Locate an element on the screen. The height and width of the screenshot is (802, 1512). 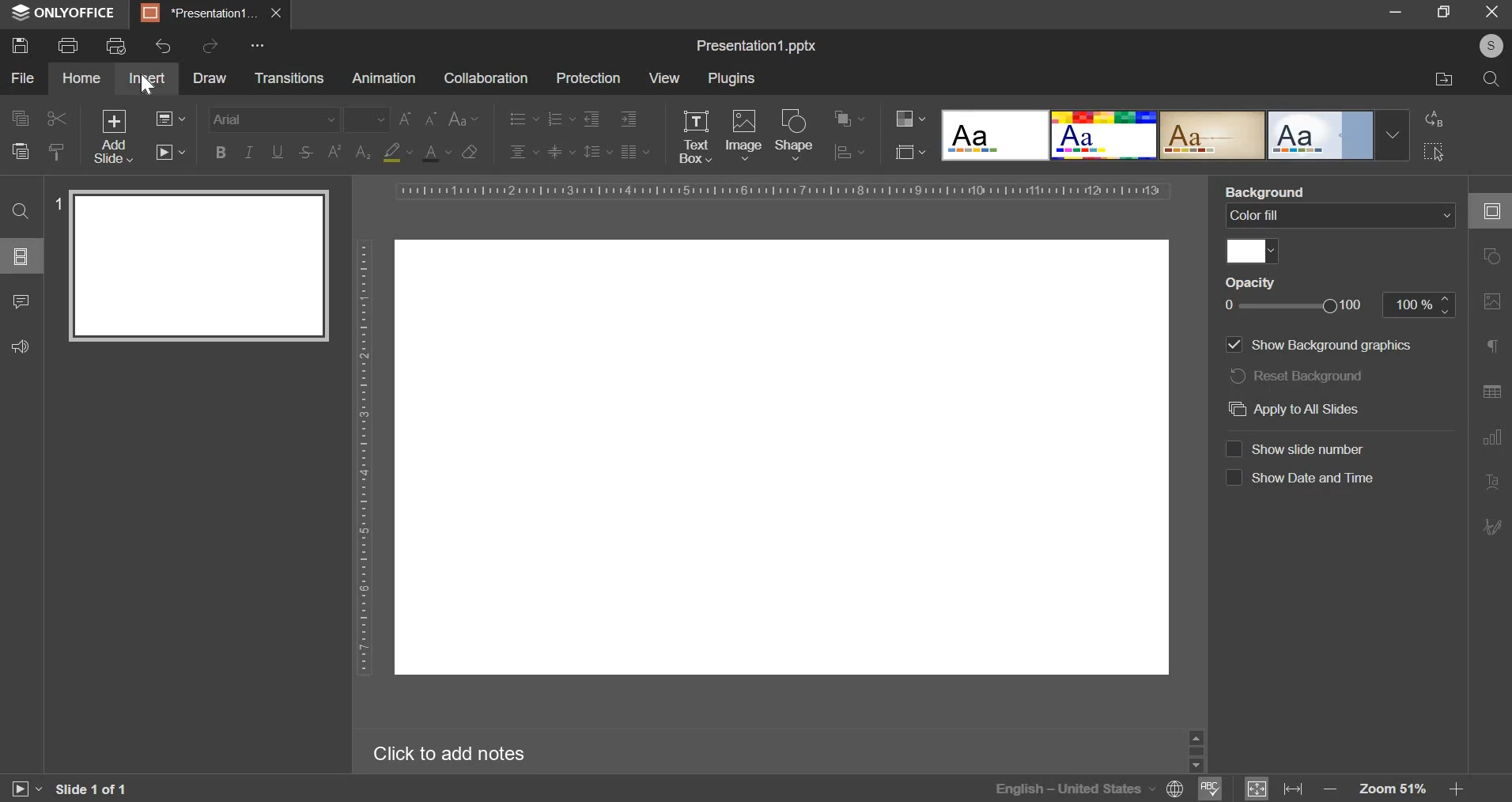
insert is located at coordinates (146, 78).